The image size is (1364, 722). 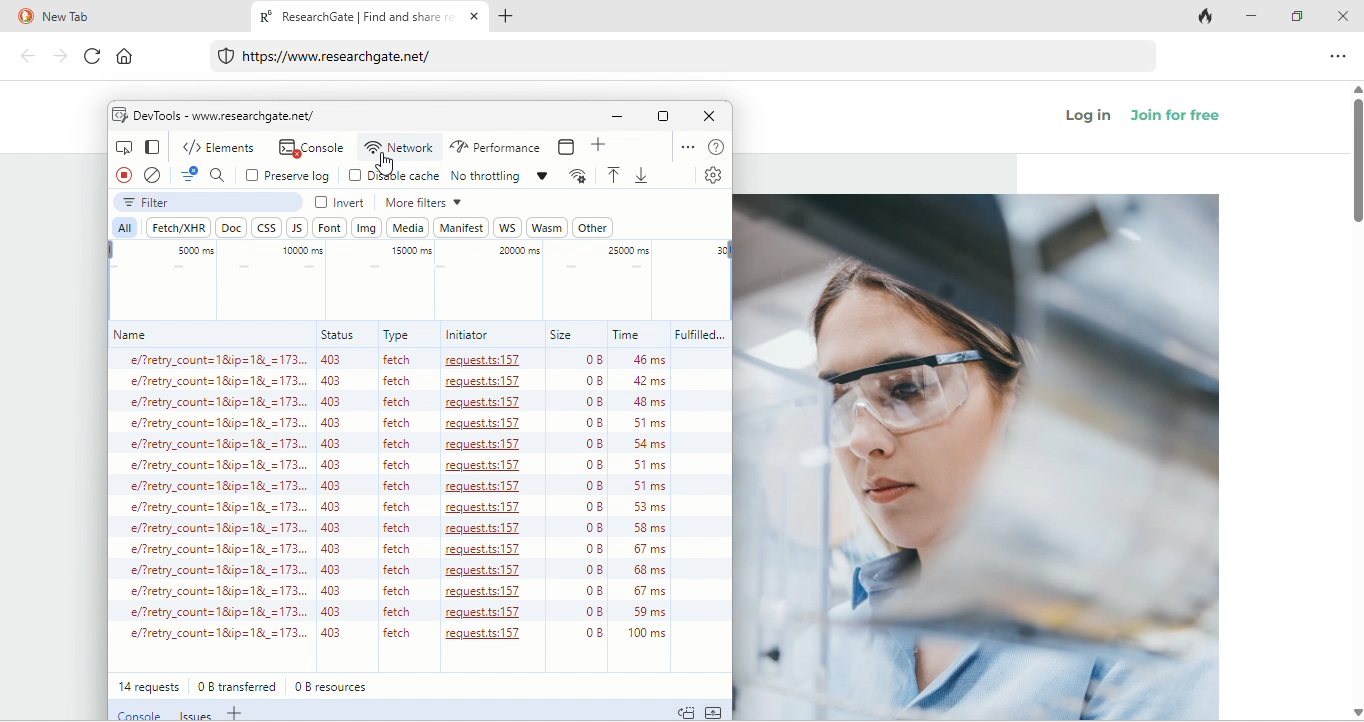 I want to click on issues, so click(x=193, y=714).